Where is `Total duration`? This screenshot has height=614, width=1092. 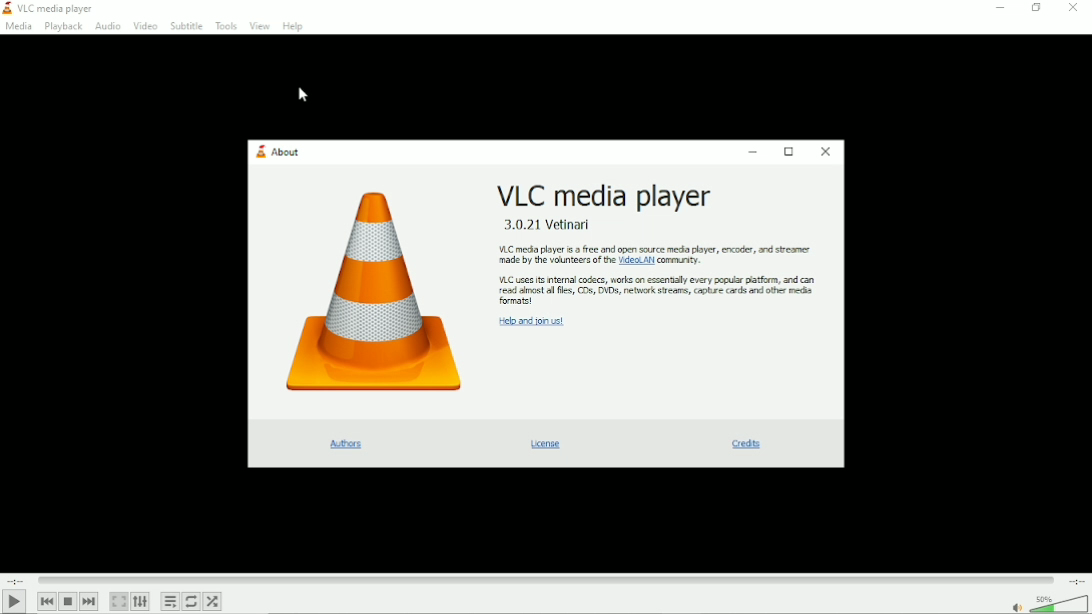 Total duration is located at coordinates (1077, 580).